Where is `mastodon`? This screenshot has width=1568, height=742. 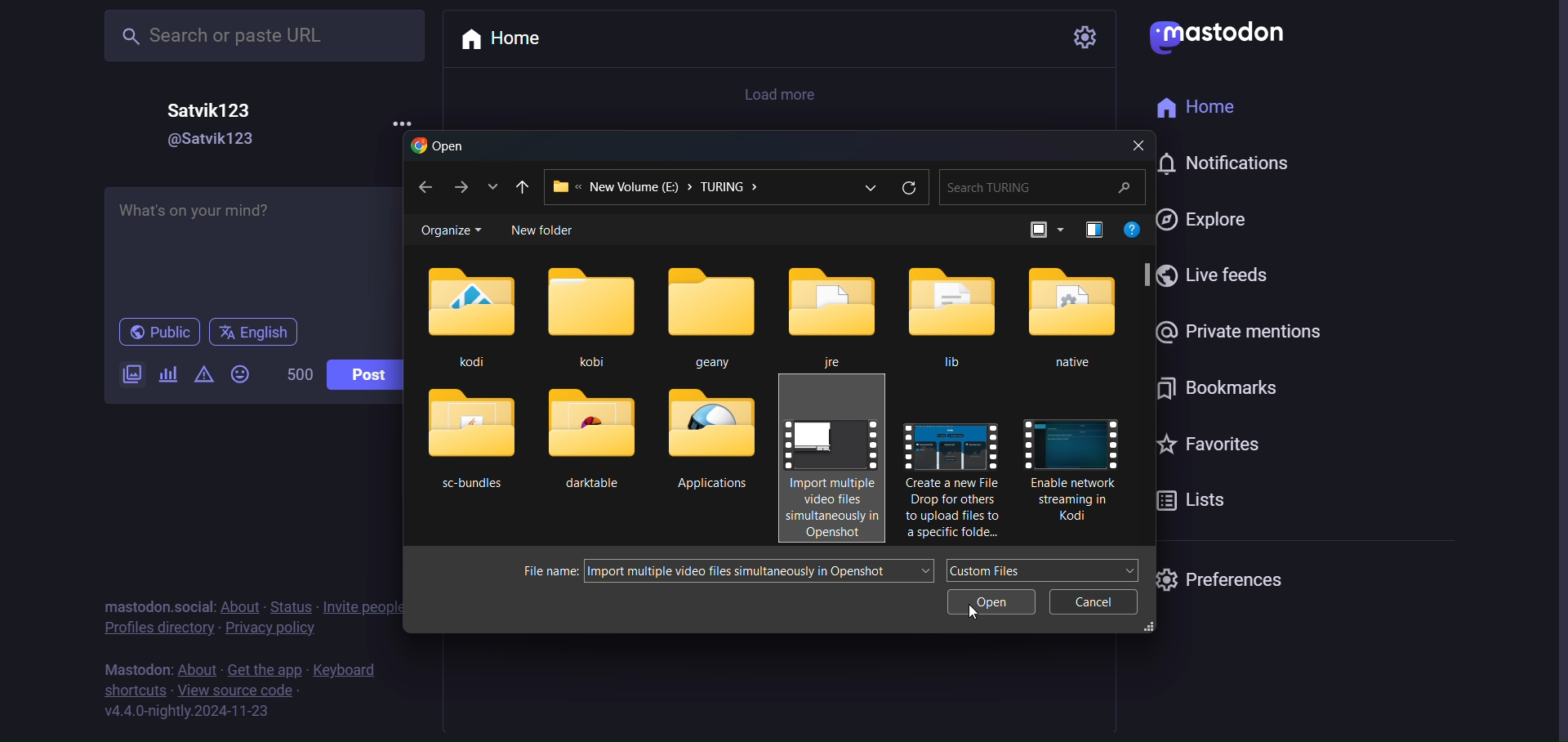
mastodon is located at coordinates (133, 606).